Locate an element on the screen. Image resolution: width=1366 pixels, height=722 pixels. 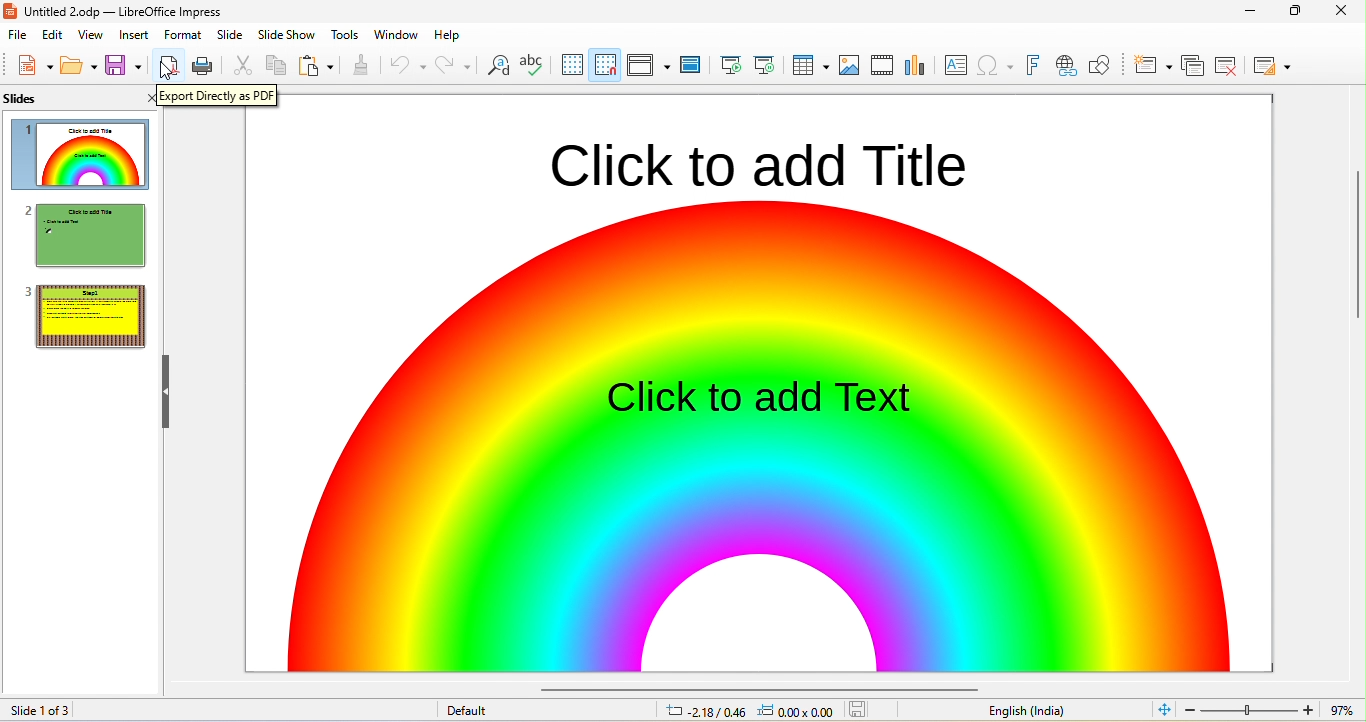
table is located at coordinates (808, 65).